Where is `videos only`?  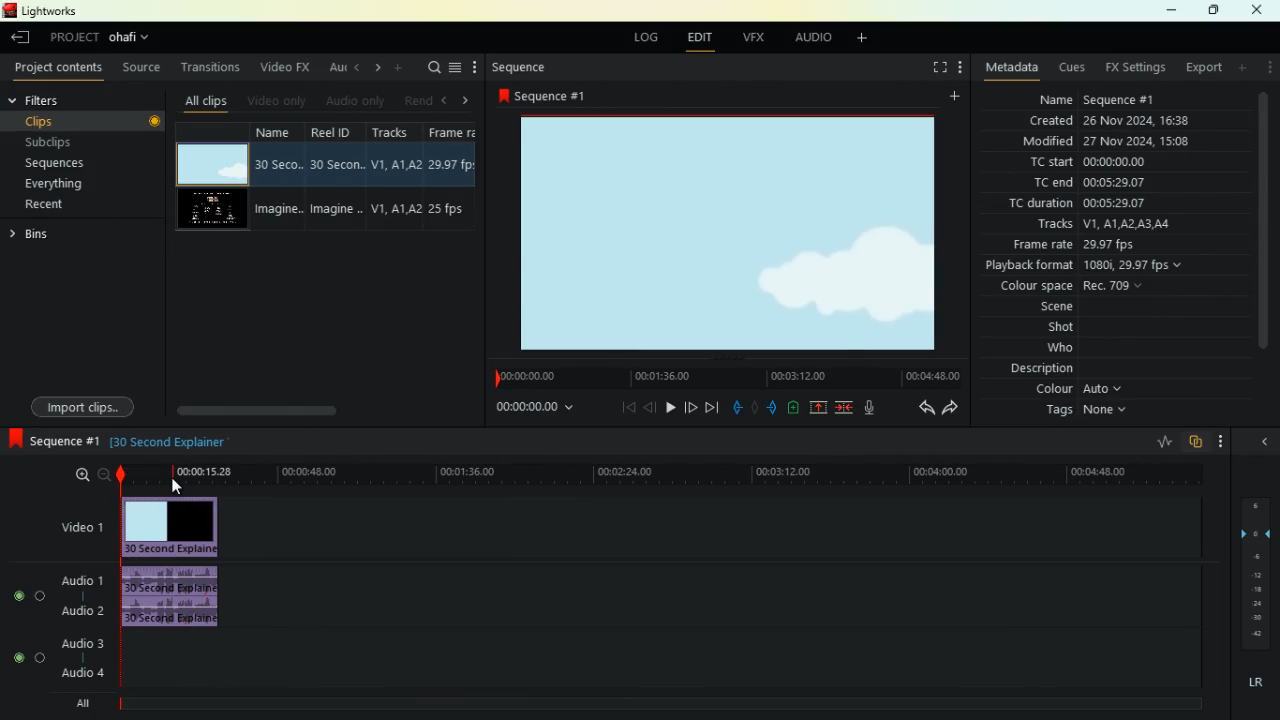
videos only is located at coordinates (279, 102).